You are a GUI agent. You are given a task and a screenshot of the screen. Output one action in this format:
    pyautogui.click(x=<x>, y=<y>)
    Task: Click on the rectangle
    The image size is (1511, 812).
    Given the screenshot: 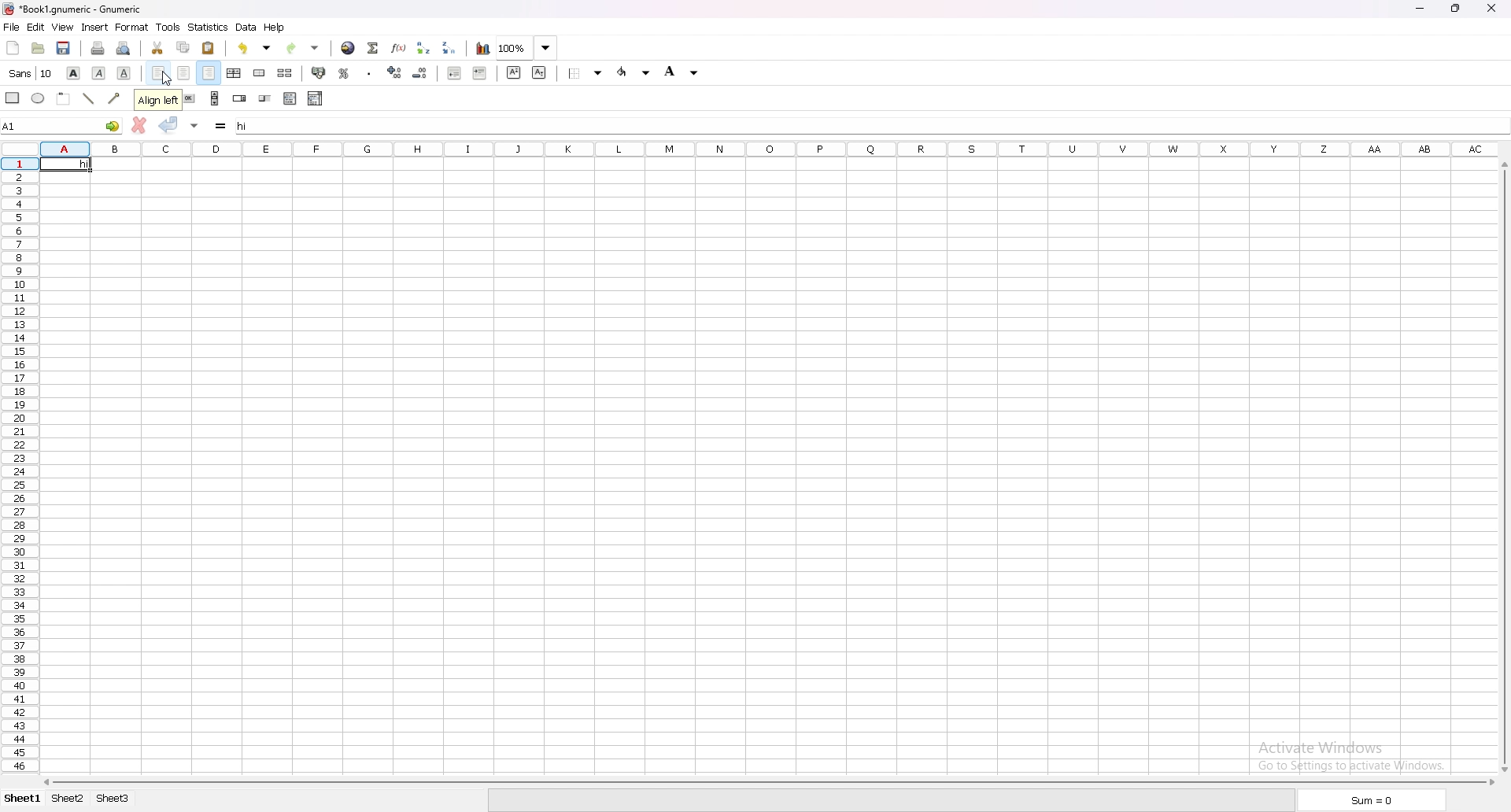 What is the action you would take?
    pyautogui.click(x=13, y=98)
    